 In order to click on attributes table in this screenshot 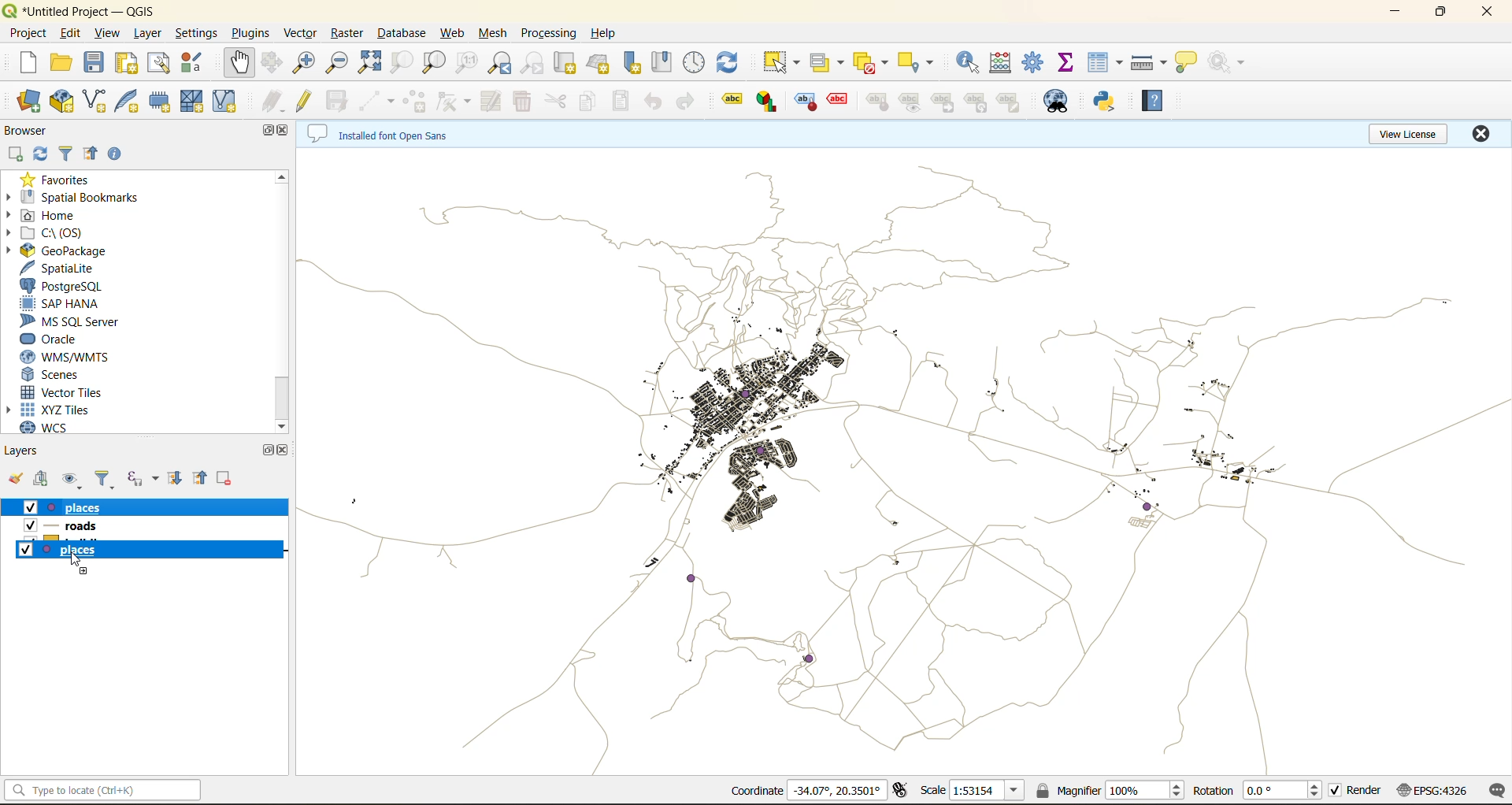, I will do `click(1106, 67)`.